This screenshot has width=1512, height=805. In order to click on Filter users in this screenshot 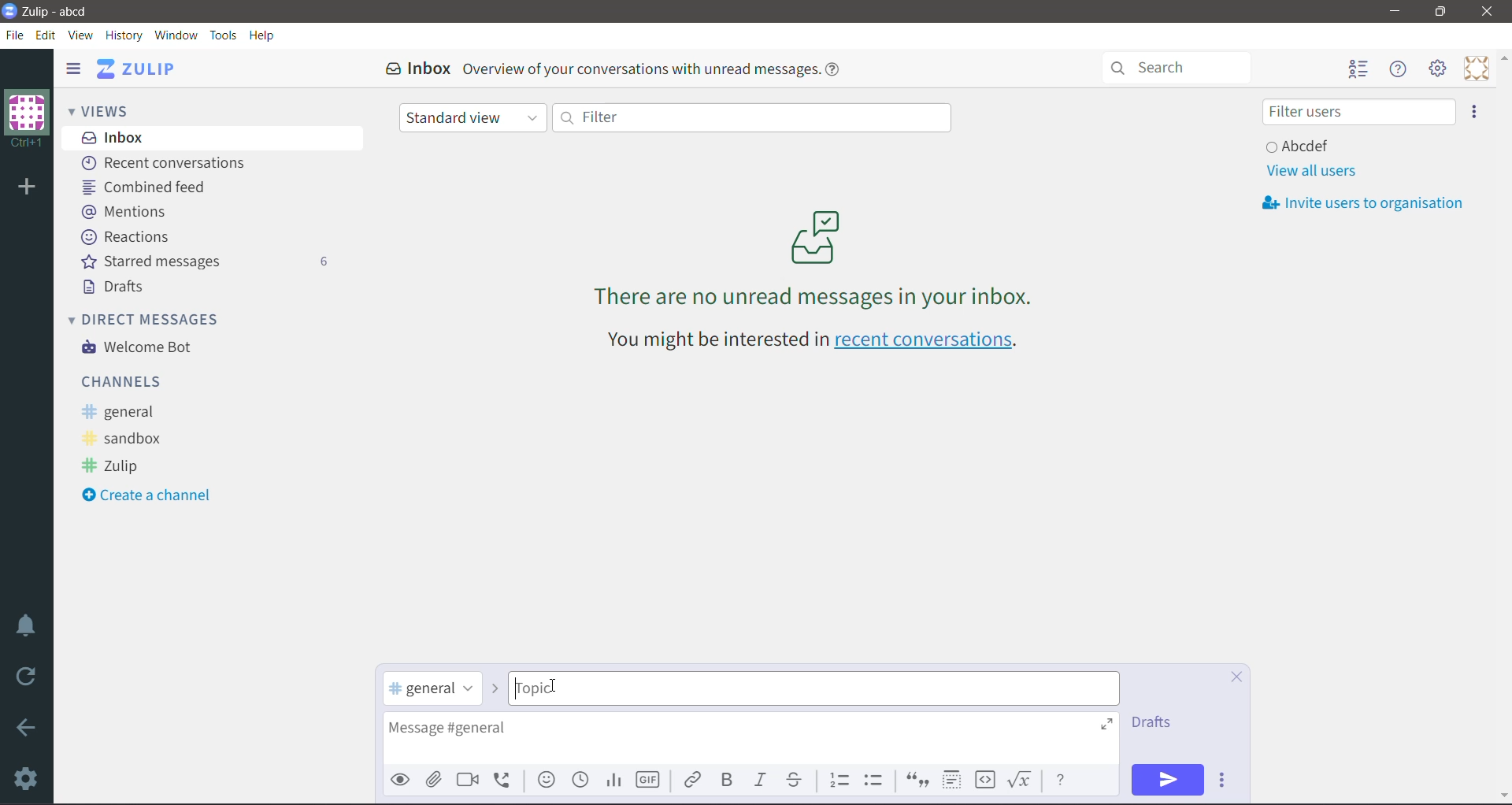, I will do `click(1358, 112)`.